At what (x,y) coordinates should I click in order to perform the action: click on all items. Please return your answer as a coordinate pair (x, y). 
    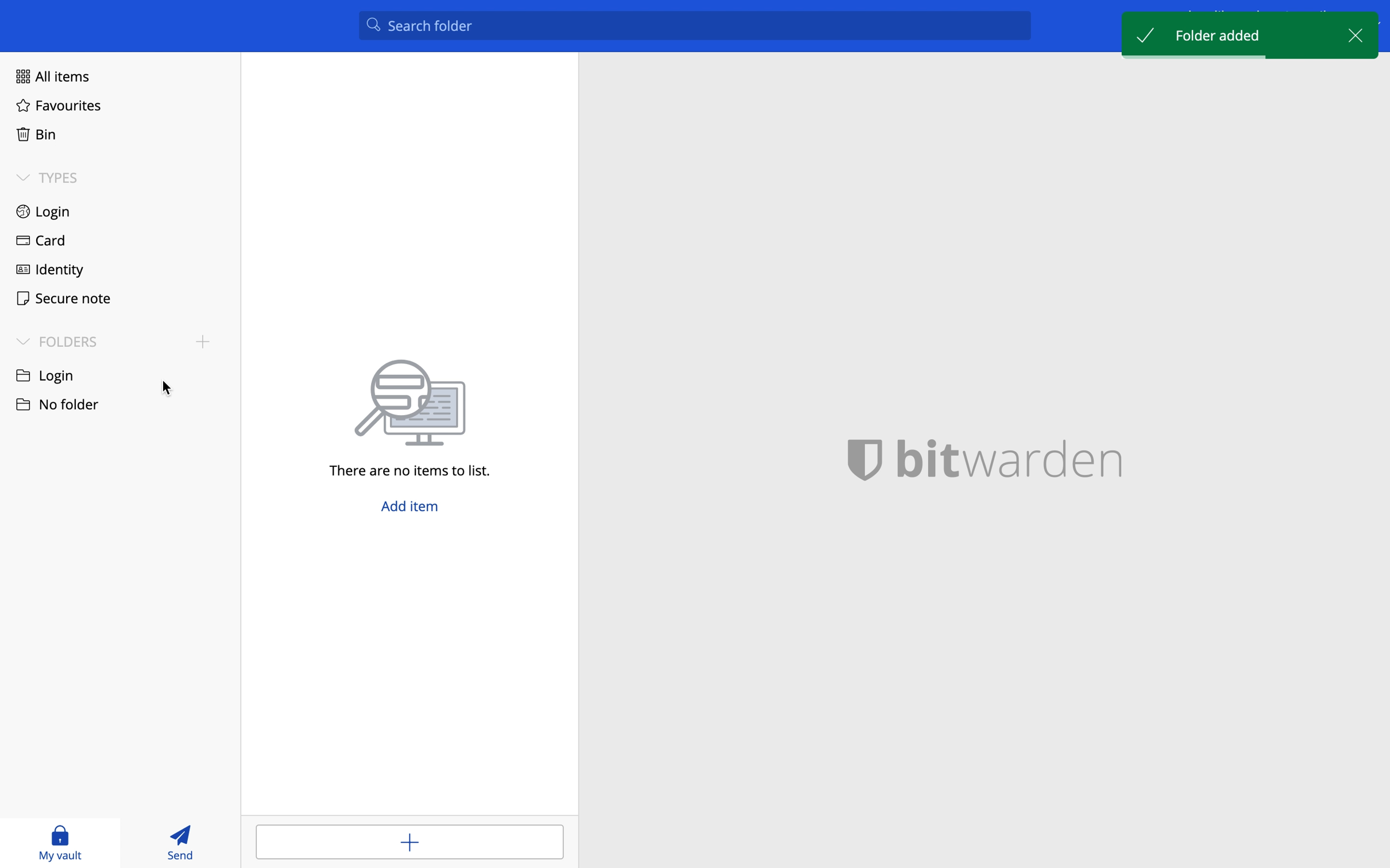
    Looking at the image, I should click on (49, 75).